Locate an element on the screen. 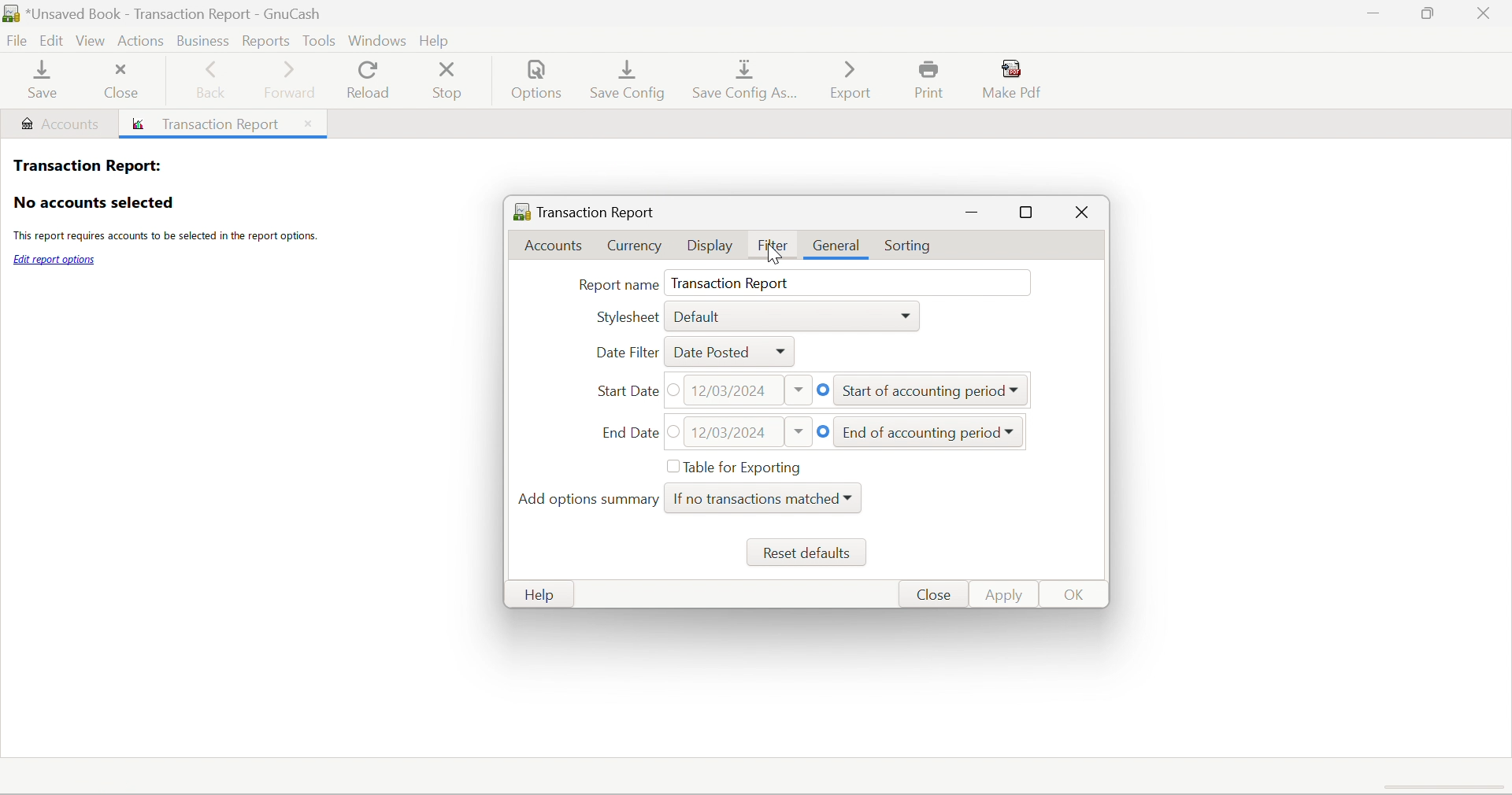 This screenshot has width=1512, height=795. Accounts is located at coordinates (59, 124).